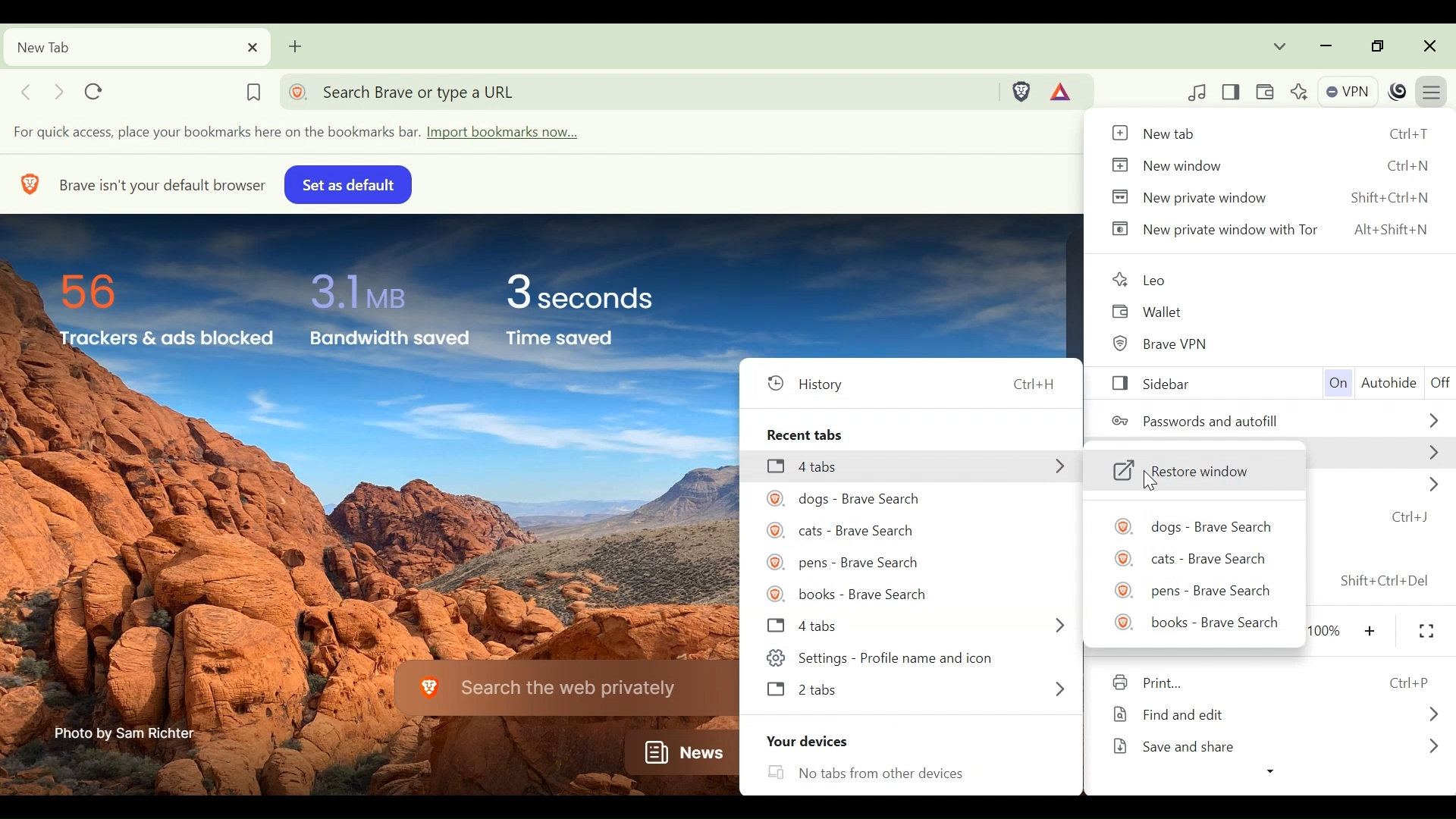 The image size is (1456, 819). I want to click on Set as default, so click(347, 185).